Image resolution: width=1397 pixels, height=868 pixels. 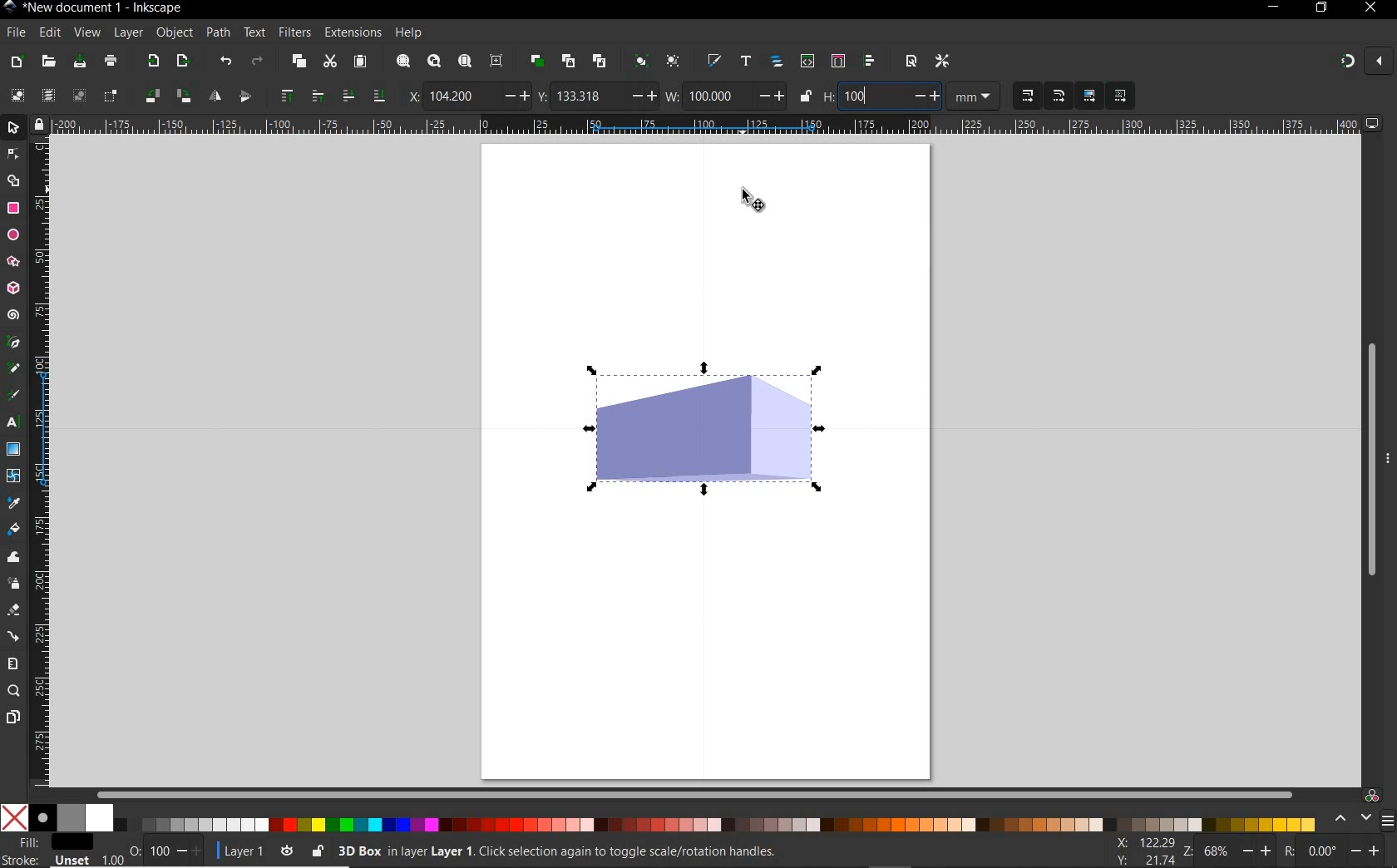 I want to click on move patterns, so click(x=1118, y=96).